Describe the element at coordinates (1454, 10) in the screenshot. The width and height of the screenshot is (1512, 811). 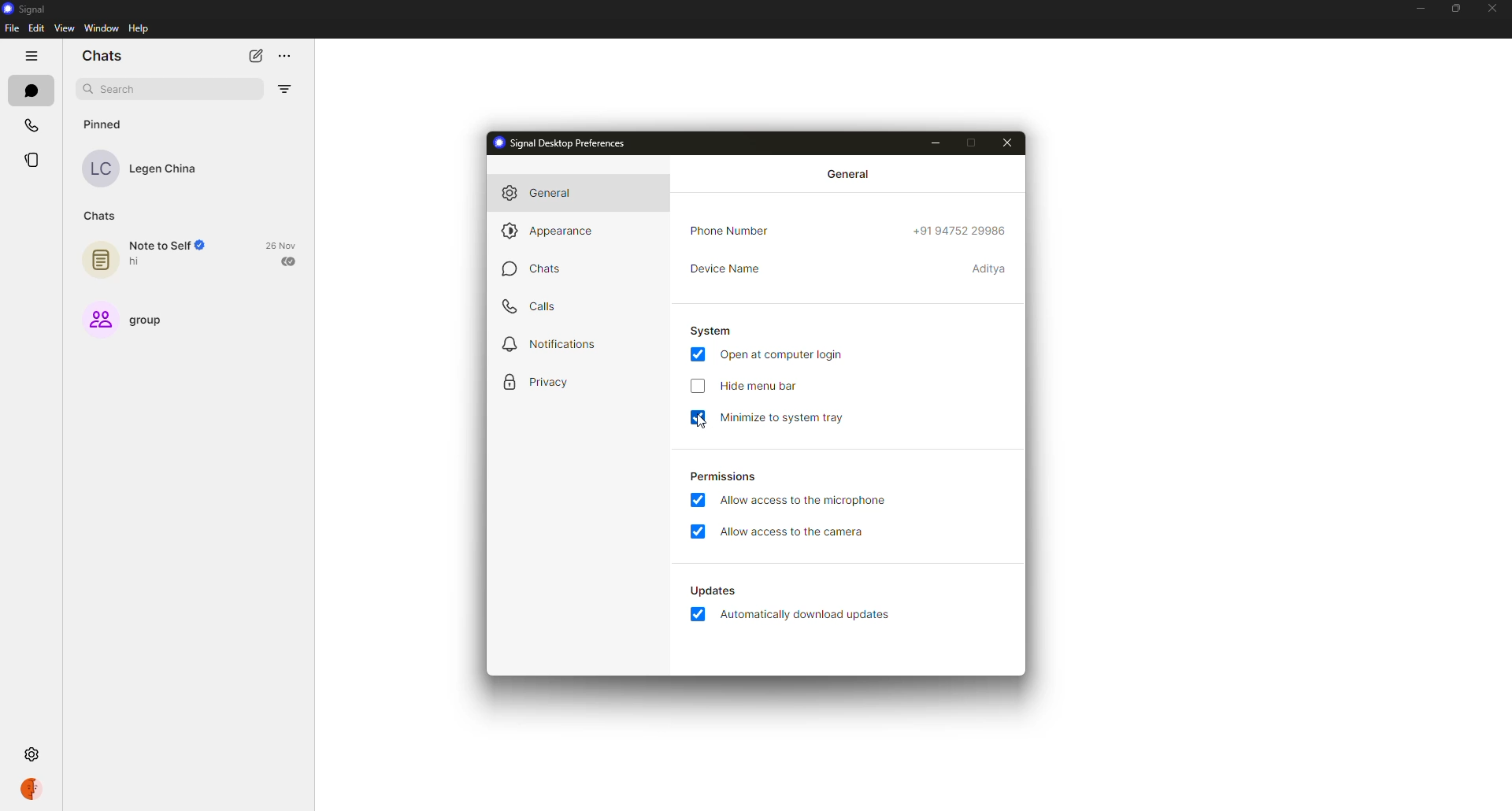
I see `maximize` at that location.